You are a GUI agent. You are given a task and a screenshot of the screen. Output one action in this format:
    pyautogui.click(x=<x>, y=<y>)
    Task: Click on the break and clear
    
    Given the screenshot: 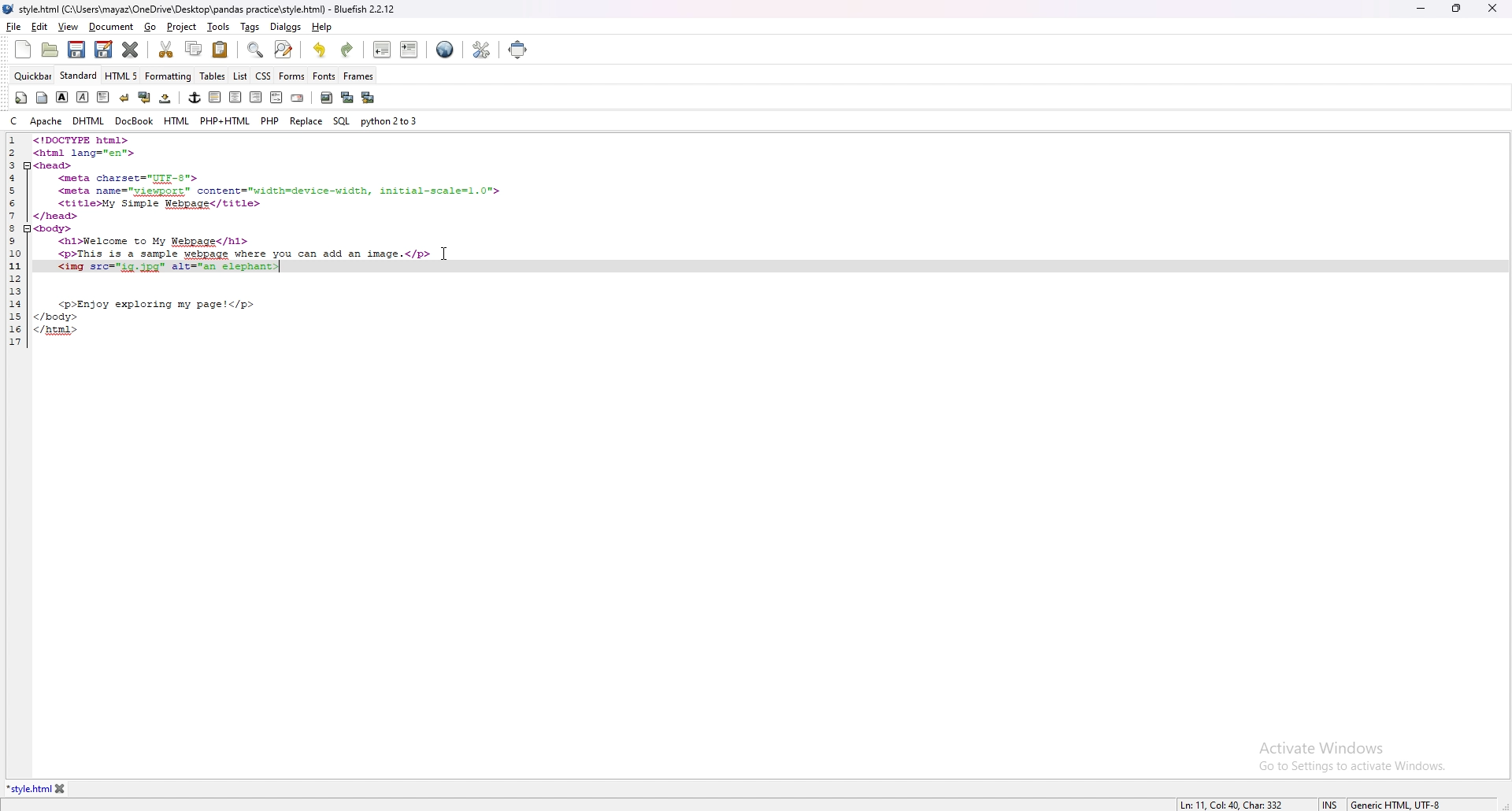 What is the action you would take?
    pyautogui.click(x=145, y=97)
    